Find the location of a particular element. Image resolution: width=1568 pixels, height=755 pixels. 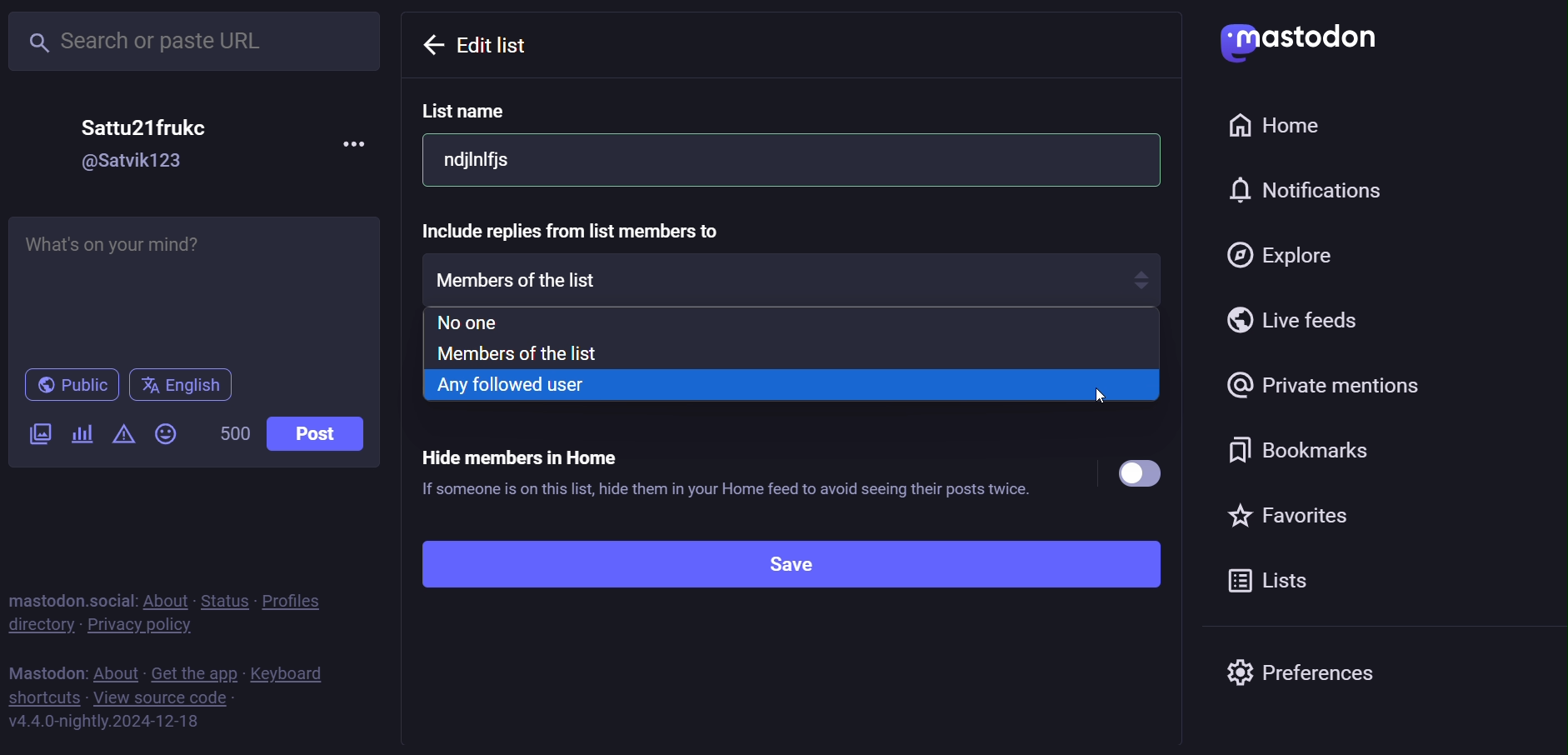

members of the list is located at coordinates (789, 279).